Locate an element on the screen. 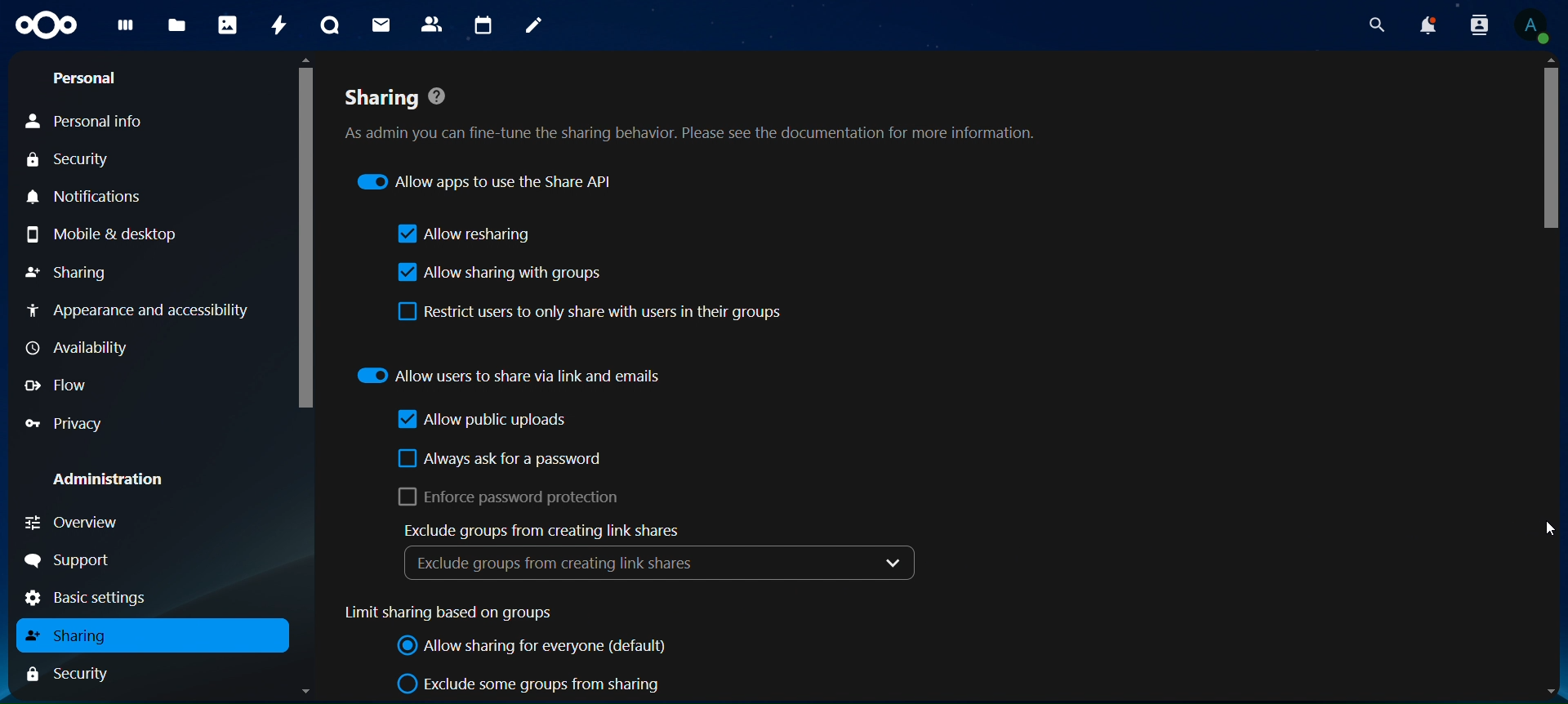 Image resolution: width=1568 pixels, height=704 pixels. photos is located at coordinates (230, 25).